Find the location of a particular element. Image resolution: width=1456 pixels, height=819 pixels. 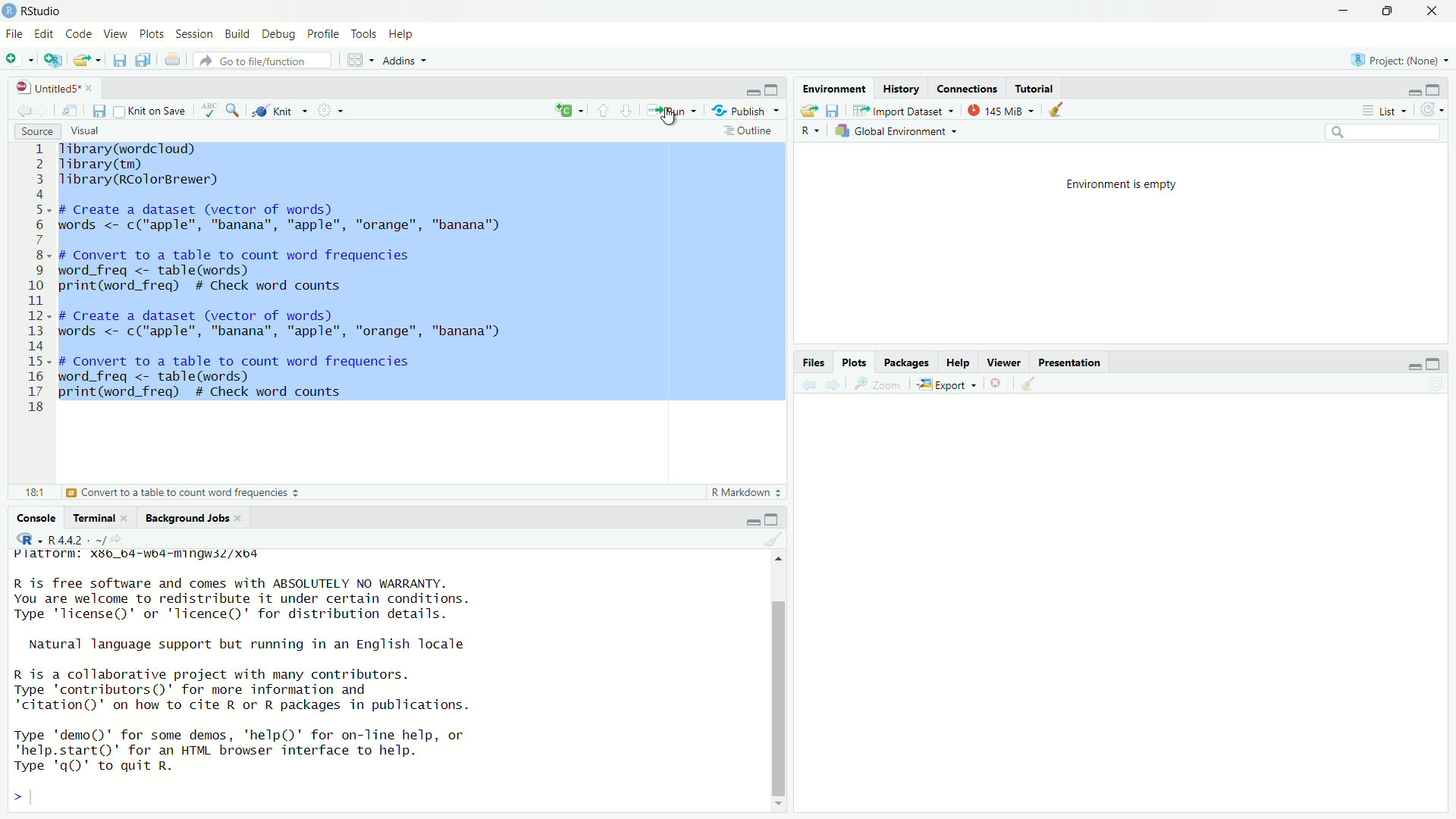

Go to the next section/chunk is located at coordinates (629, 111).